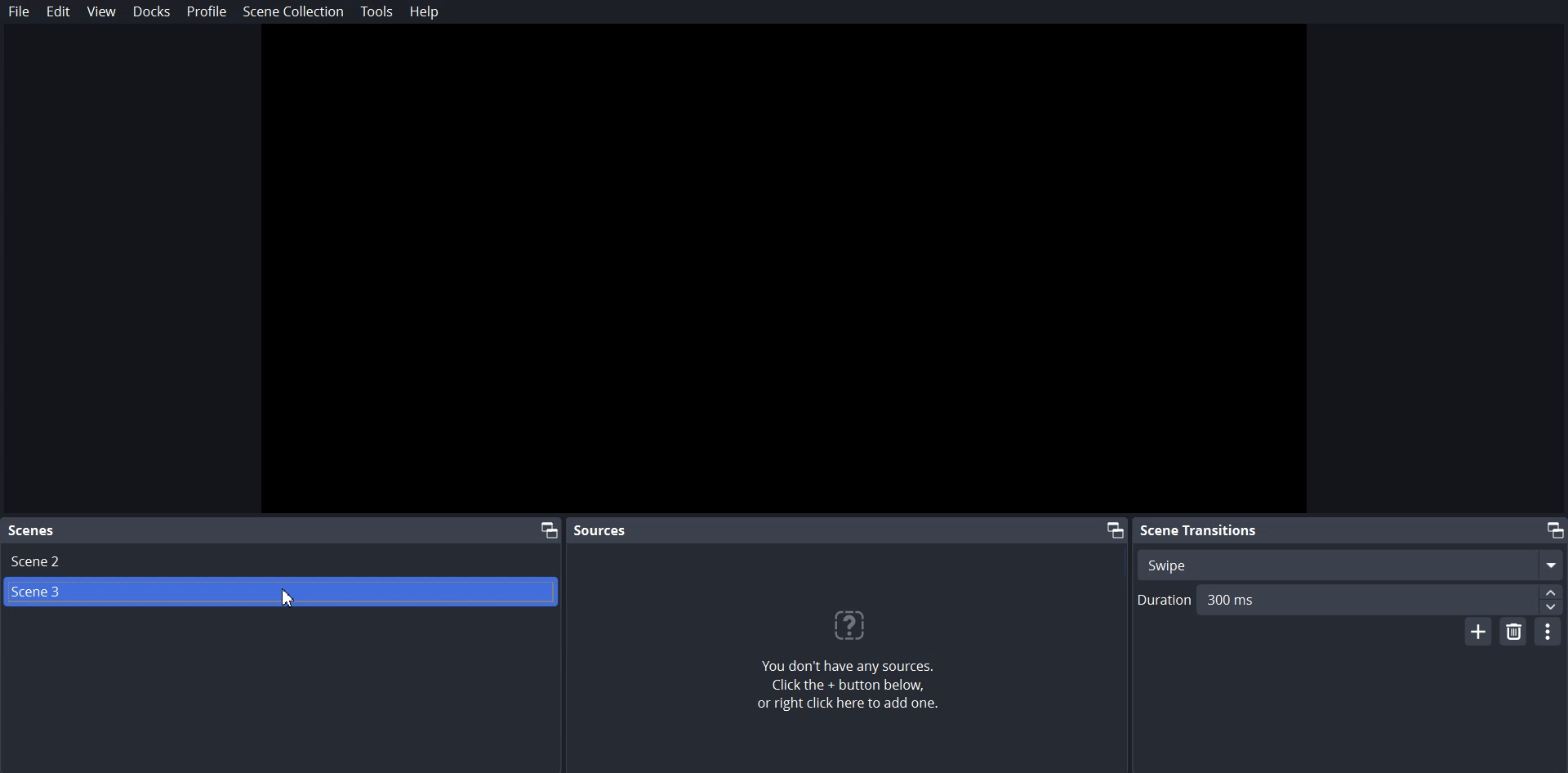 The width and height of the screenshot is (1568, 773). I want to click on Duration, so click(1167, 601).